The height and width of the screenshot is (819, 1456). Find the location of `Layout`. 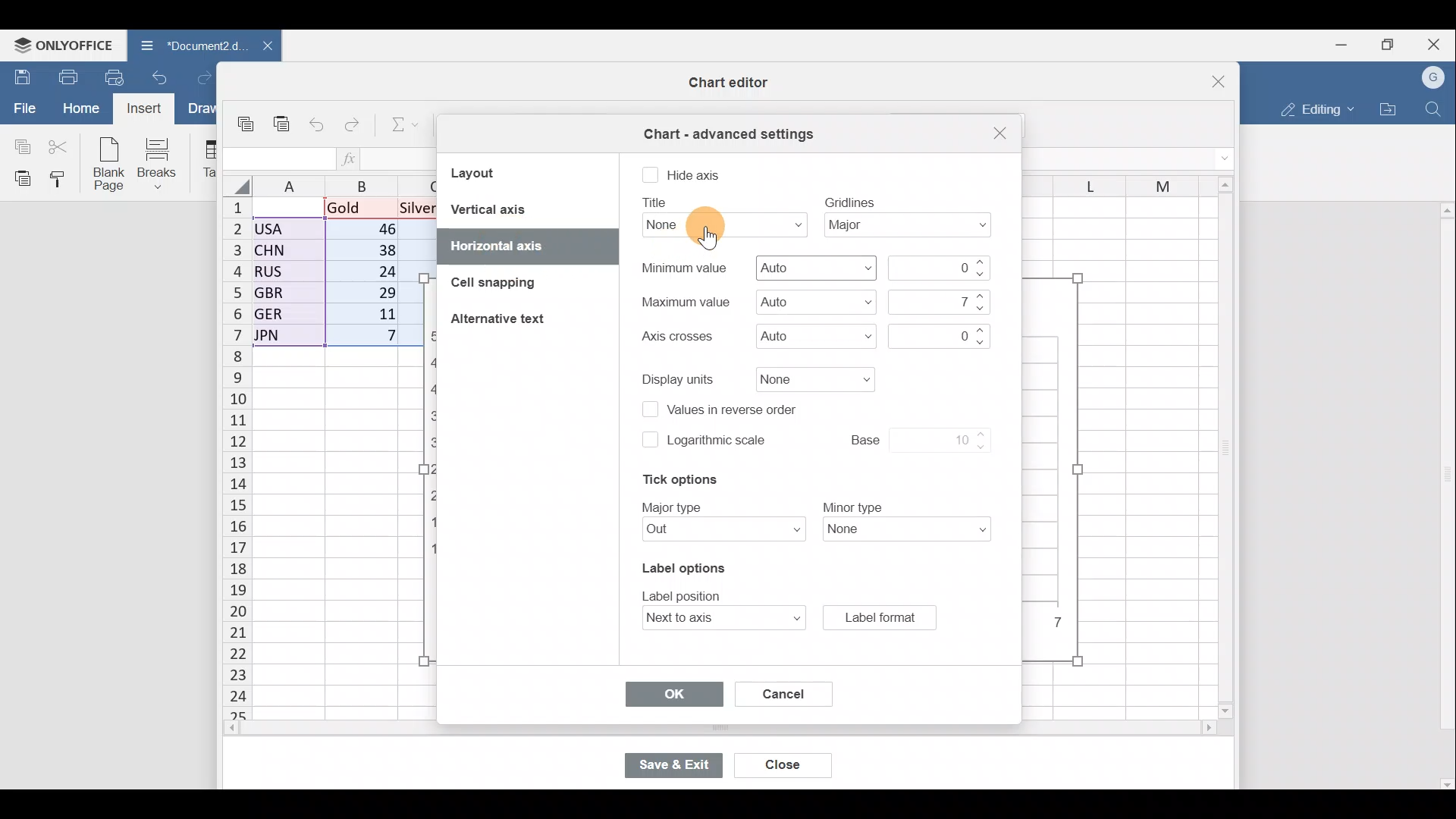

Layout is located at coordinates (495, 172).